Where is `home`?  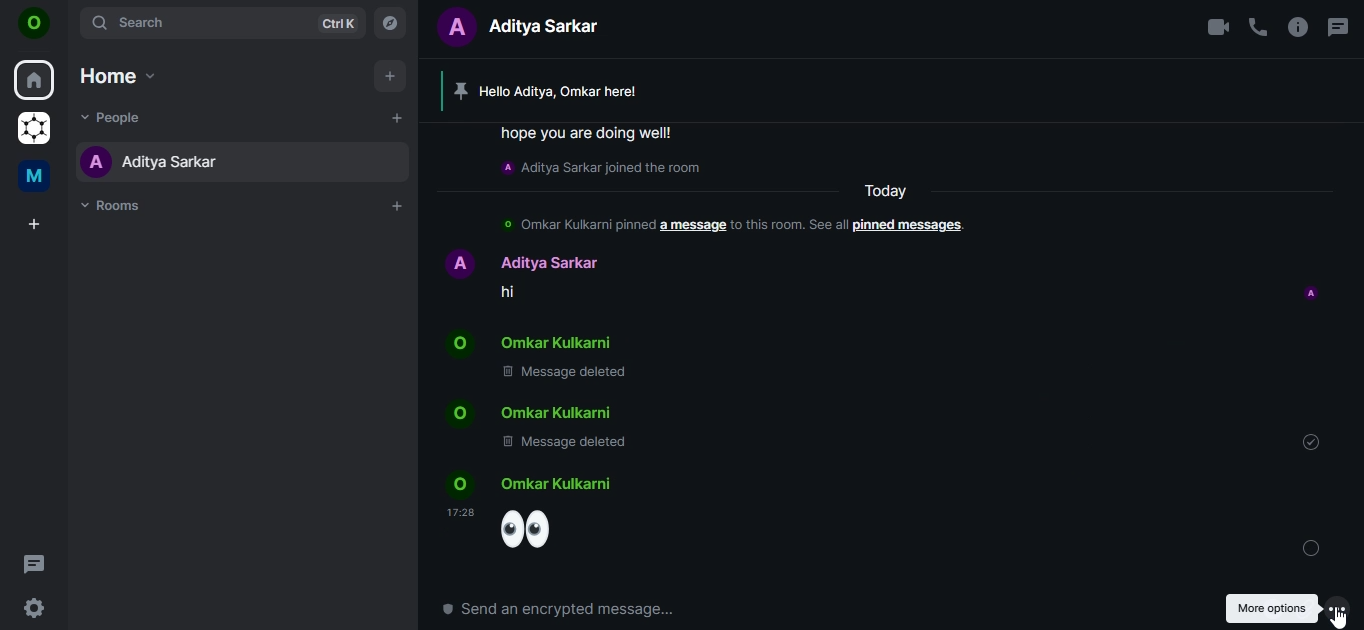 home is located at coordinates (118, 73).